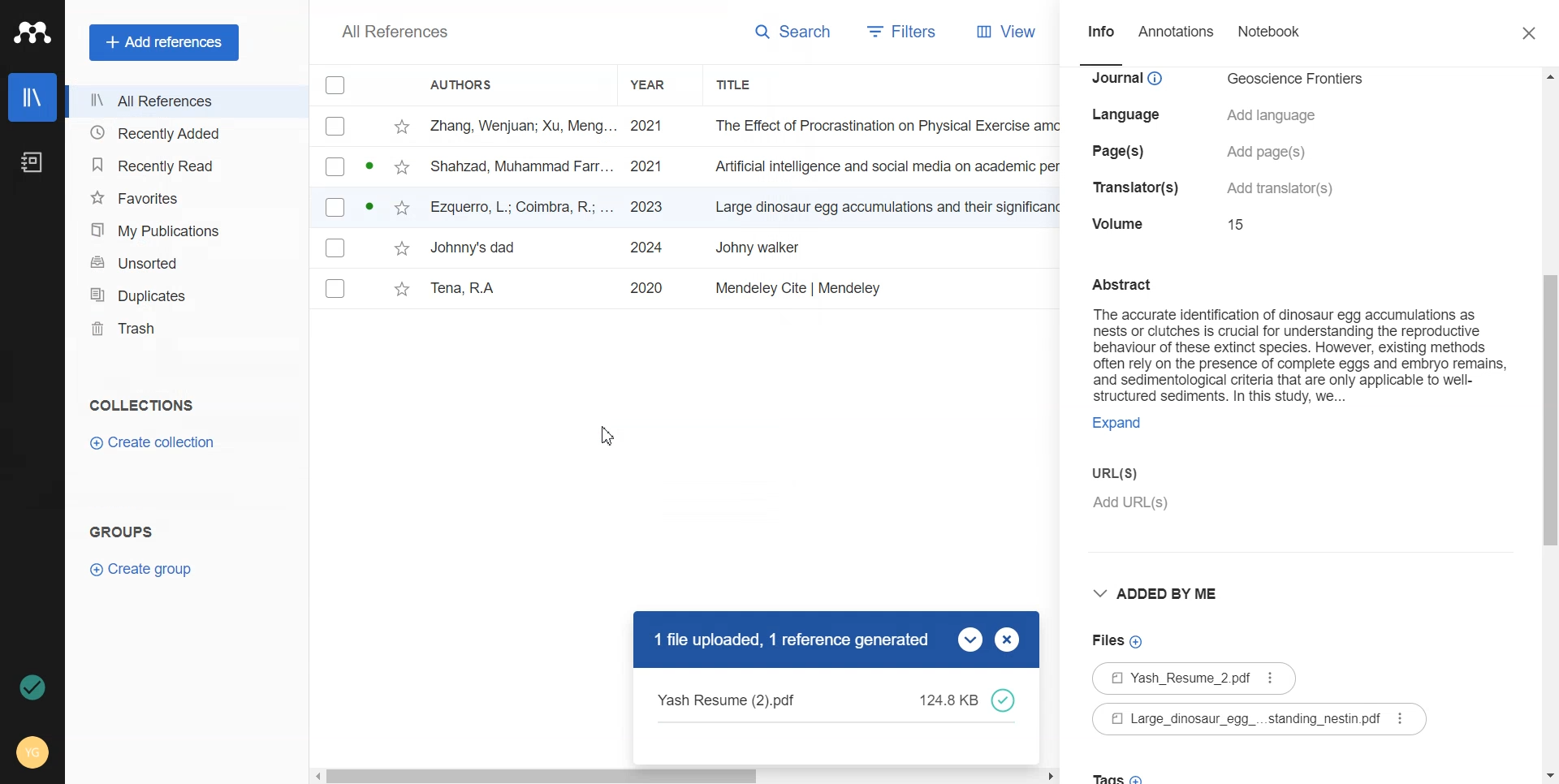 The image size is (1559, 784). Describe the element at coordinates (610, 436) in the screenshot. I see `Cursor` at that location.